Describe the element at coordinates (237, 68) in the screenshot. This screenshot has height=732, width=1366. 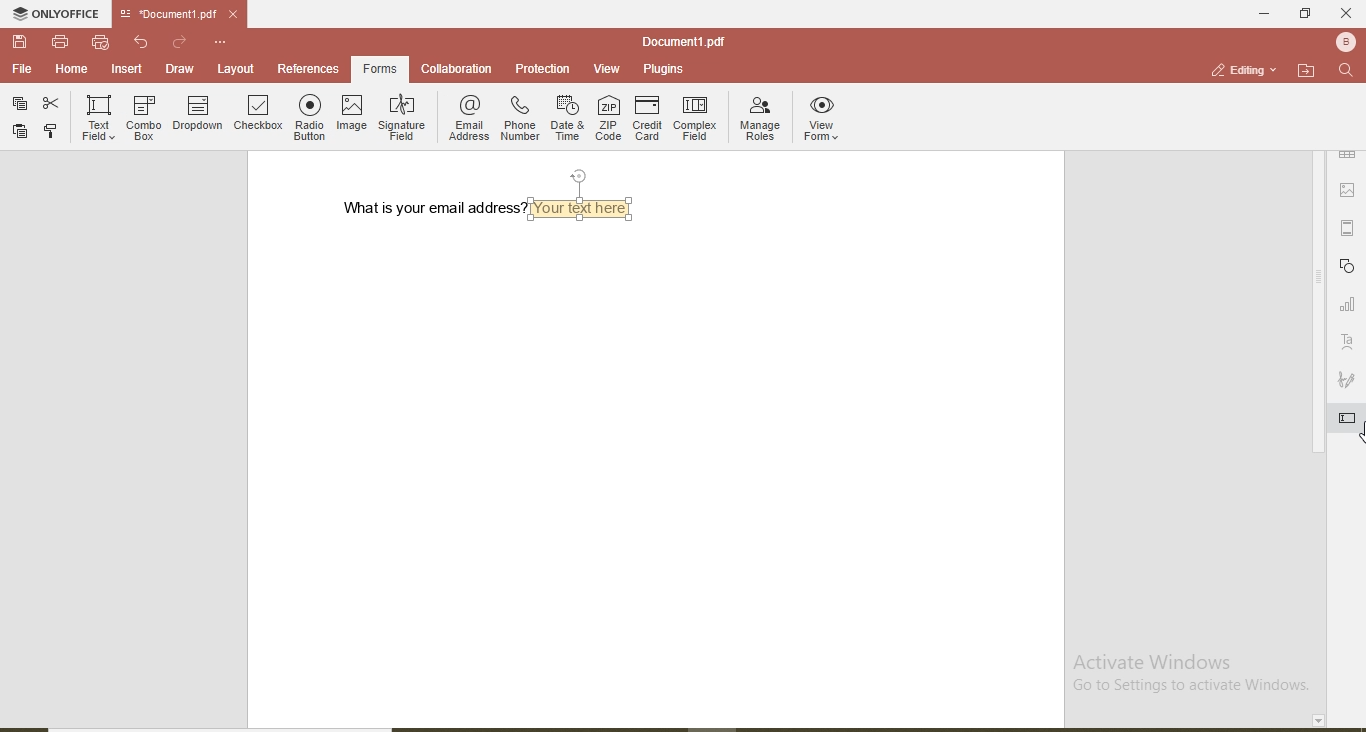
I see `layout` at that location.